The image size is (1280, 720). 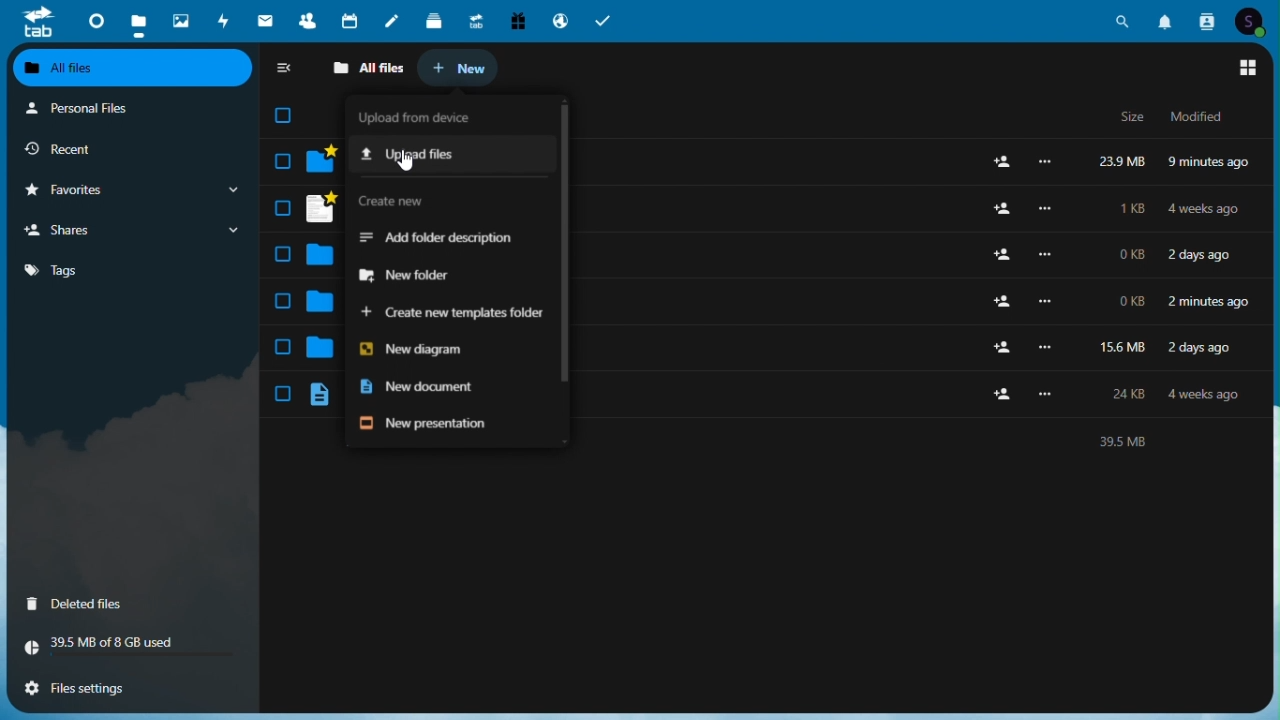 I want to click on activity, so click(x=224, y=19).